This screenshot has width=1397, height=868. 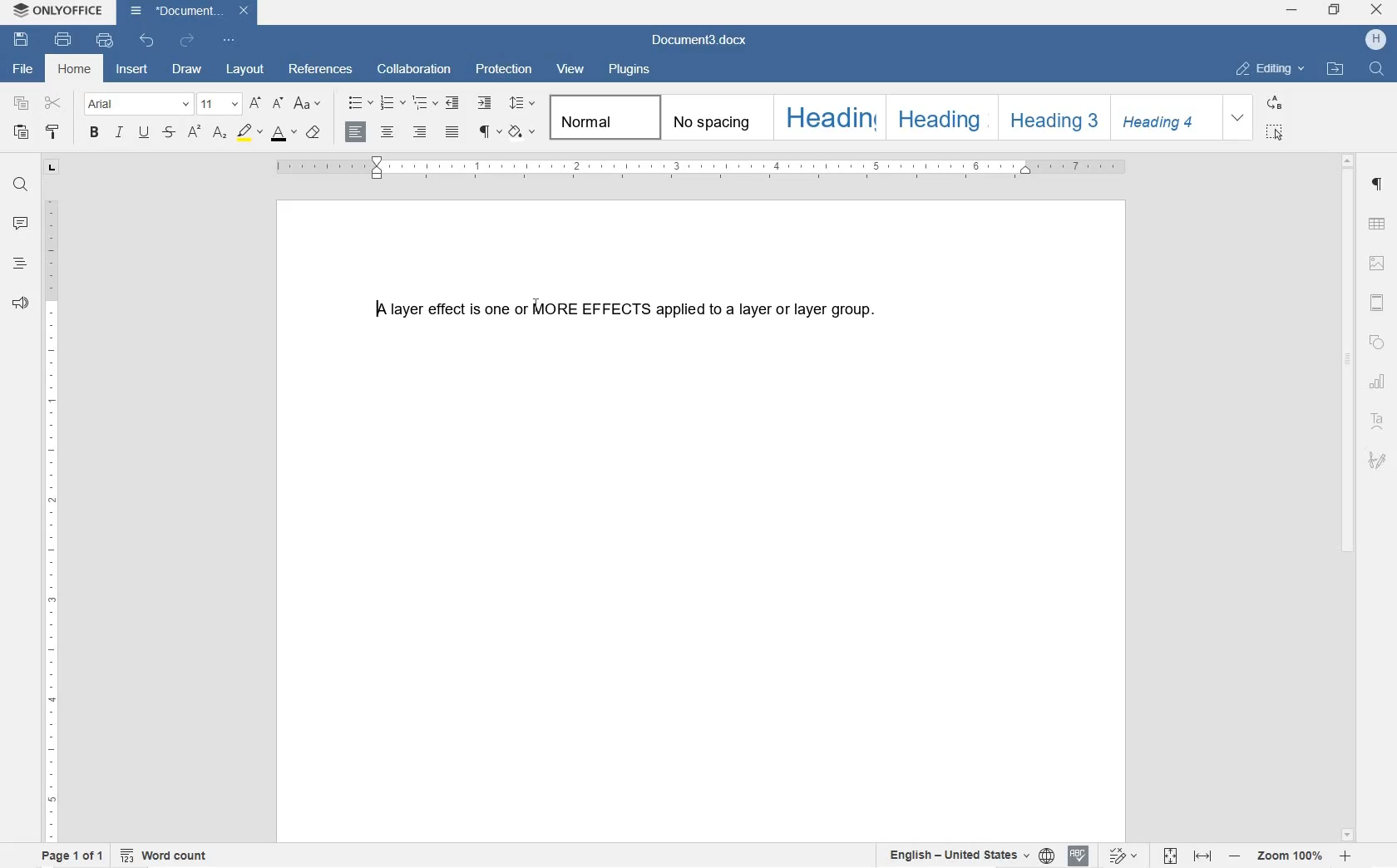 I want to click on SUBSCRIPT, so click(x=220, y=133).